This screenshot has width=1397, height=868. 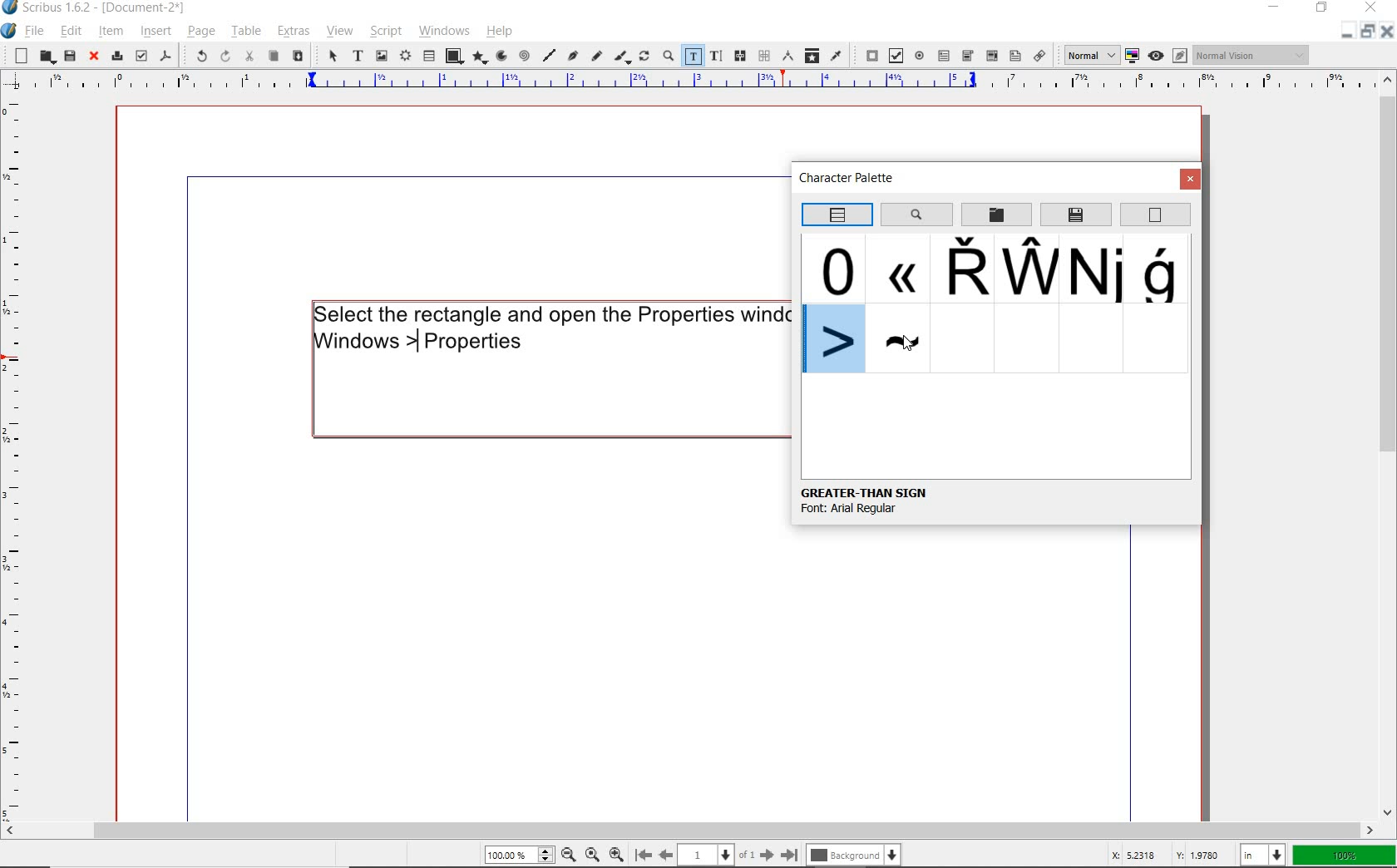 What do you see at coordinates (501, 56) in the screenshot?
I see `arc` at bounding box center [501, 56].